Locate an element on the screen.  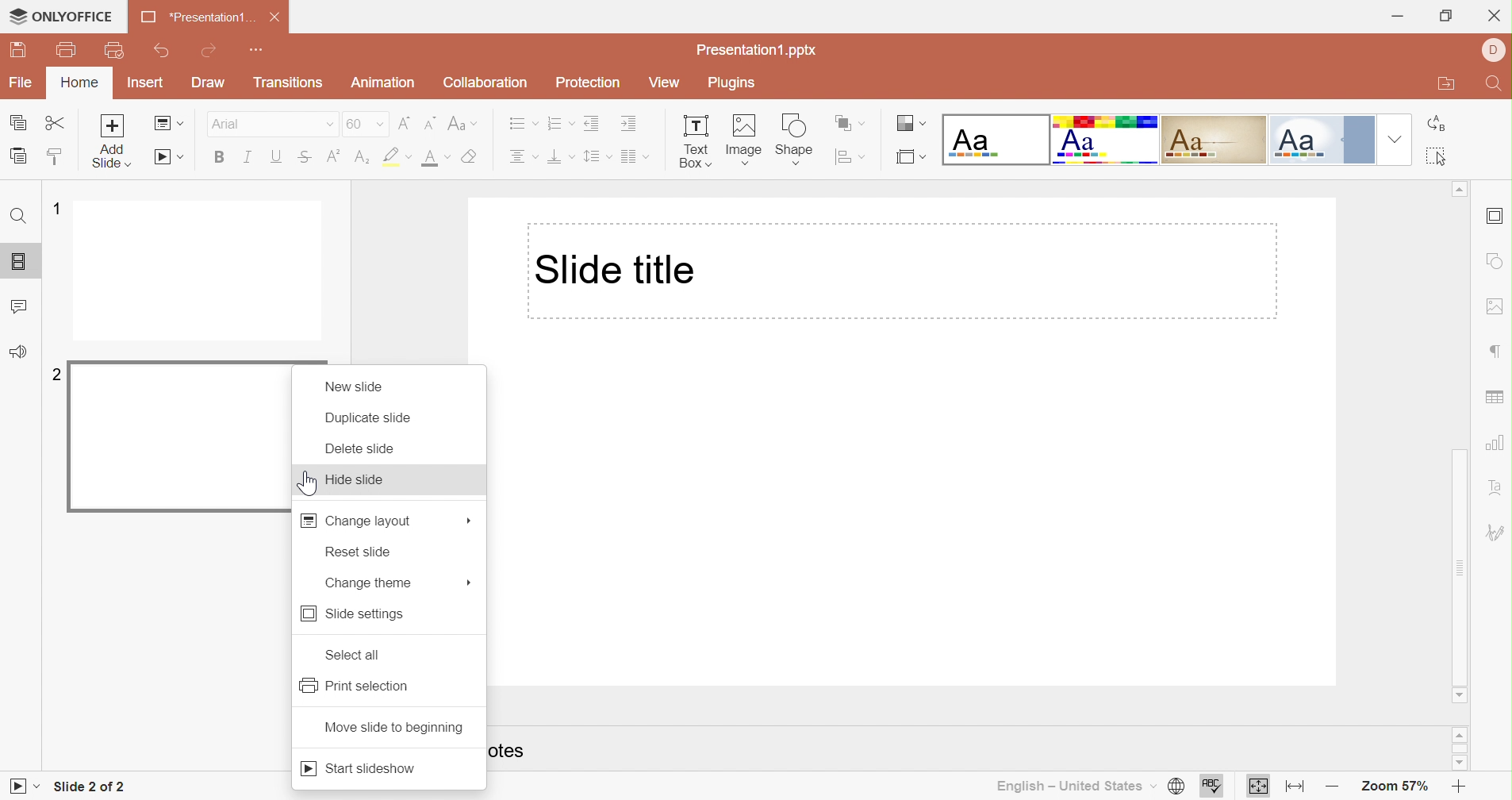
Chart settings is located at coordinates (1498, 442).